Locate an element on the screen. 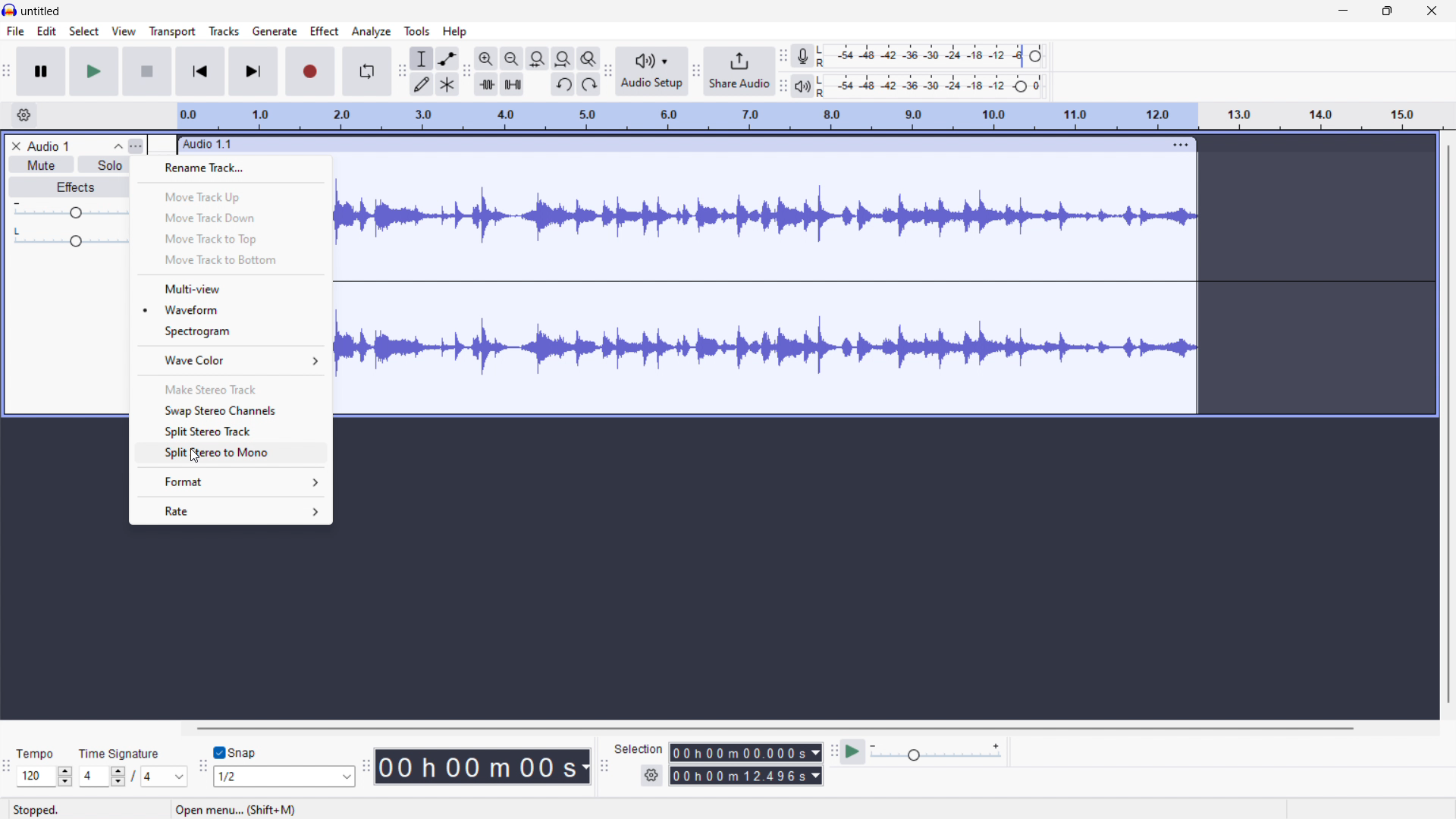 This screenshot has height=819, width=1456. time toolbar is located at coordinates (366, 768).